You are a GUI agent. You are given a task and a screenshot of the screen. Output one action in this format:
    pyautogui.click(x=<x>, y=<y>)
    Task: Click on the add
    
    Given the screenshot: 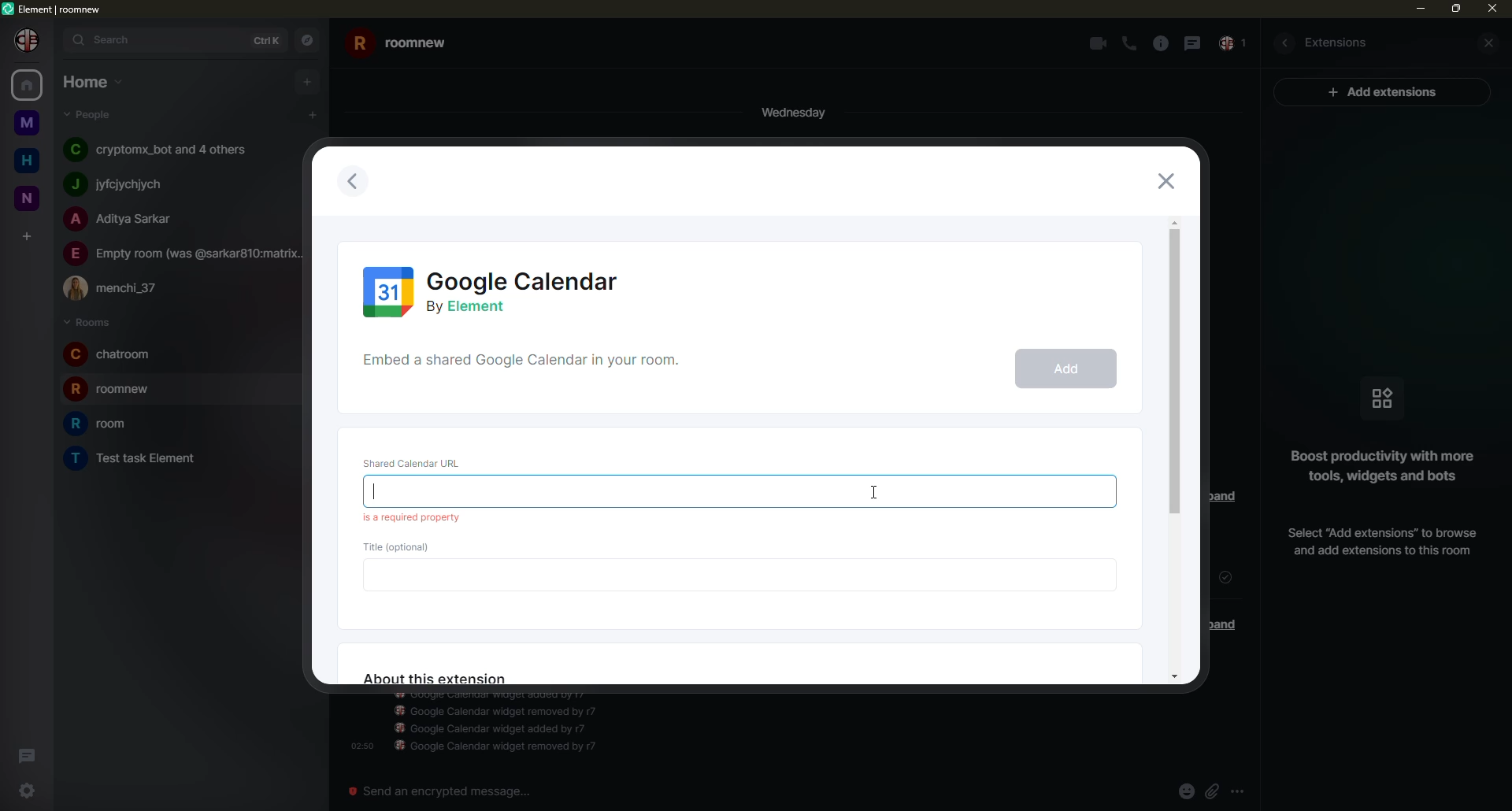 What is the action you would take?
    pyautogui.click(x=27, y=236)
    